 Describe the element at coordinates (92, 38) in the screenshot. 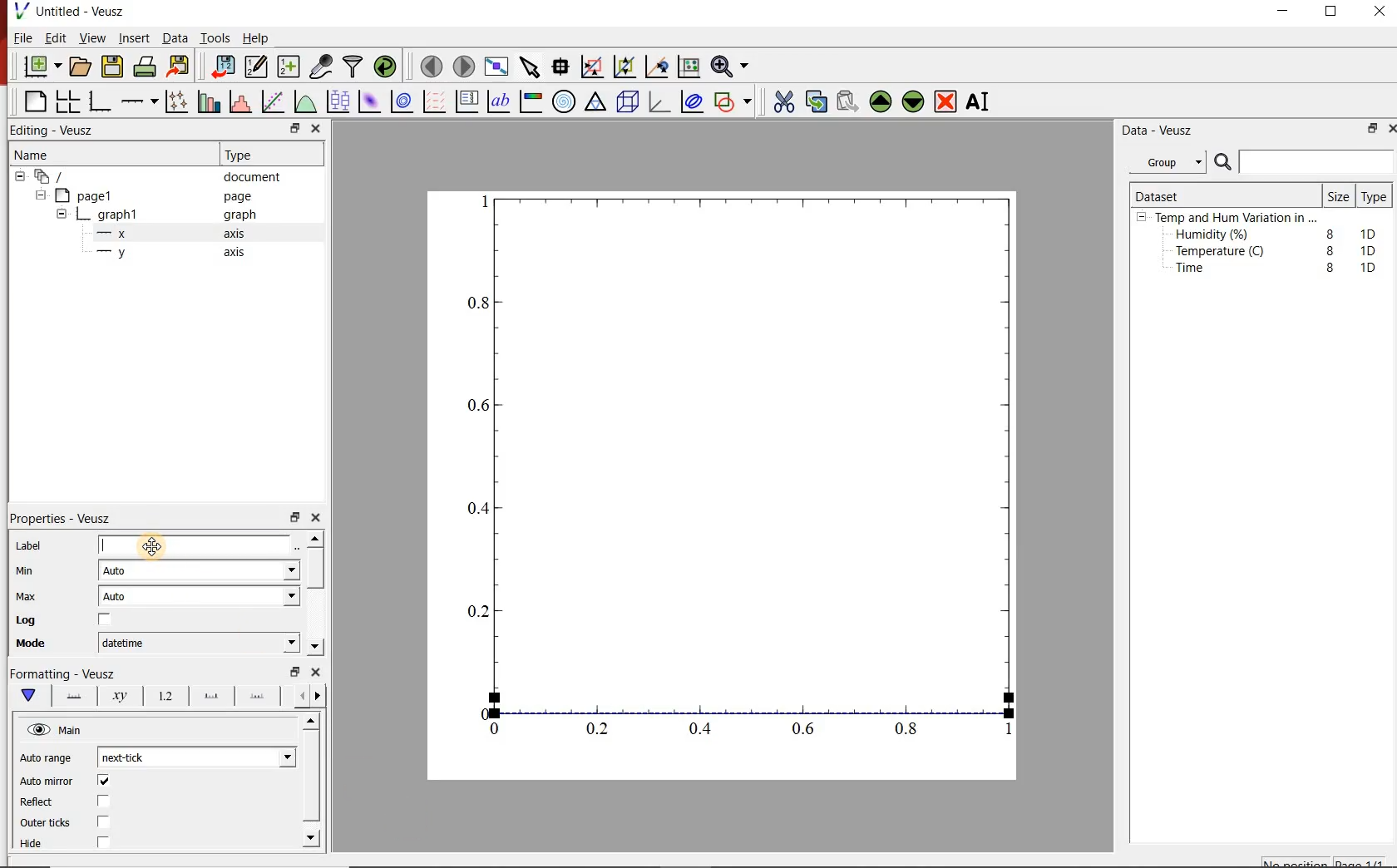

I see `View` at that location.